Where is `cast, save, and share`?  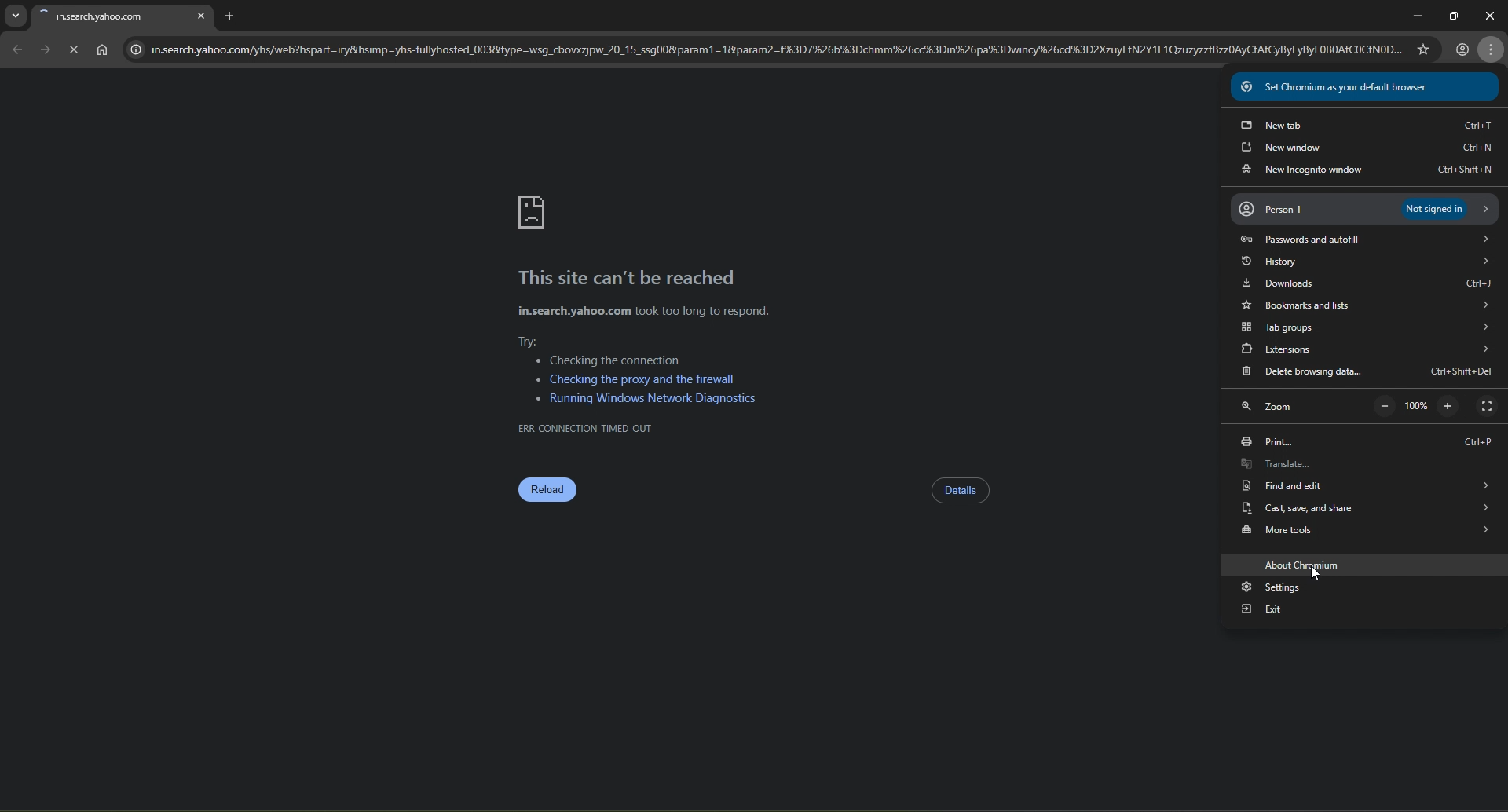
cast, save, and share is located at coordinates (1367, 508).